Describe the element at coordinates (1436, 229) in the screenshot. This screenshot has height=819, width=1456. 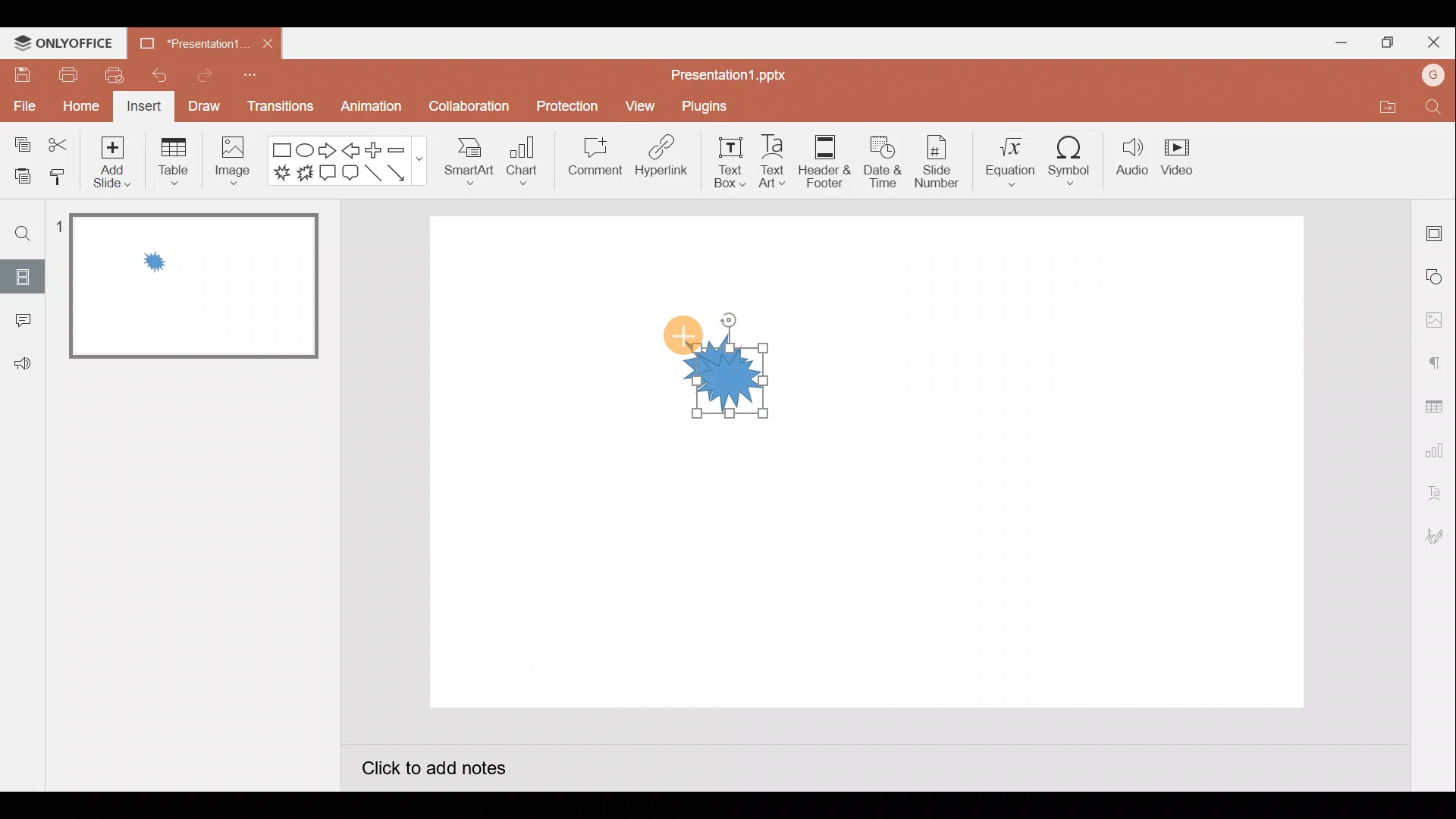
I see `Slide settings` at that location.